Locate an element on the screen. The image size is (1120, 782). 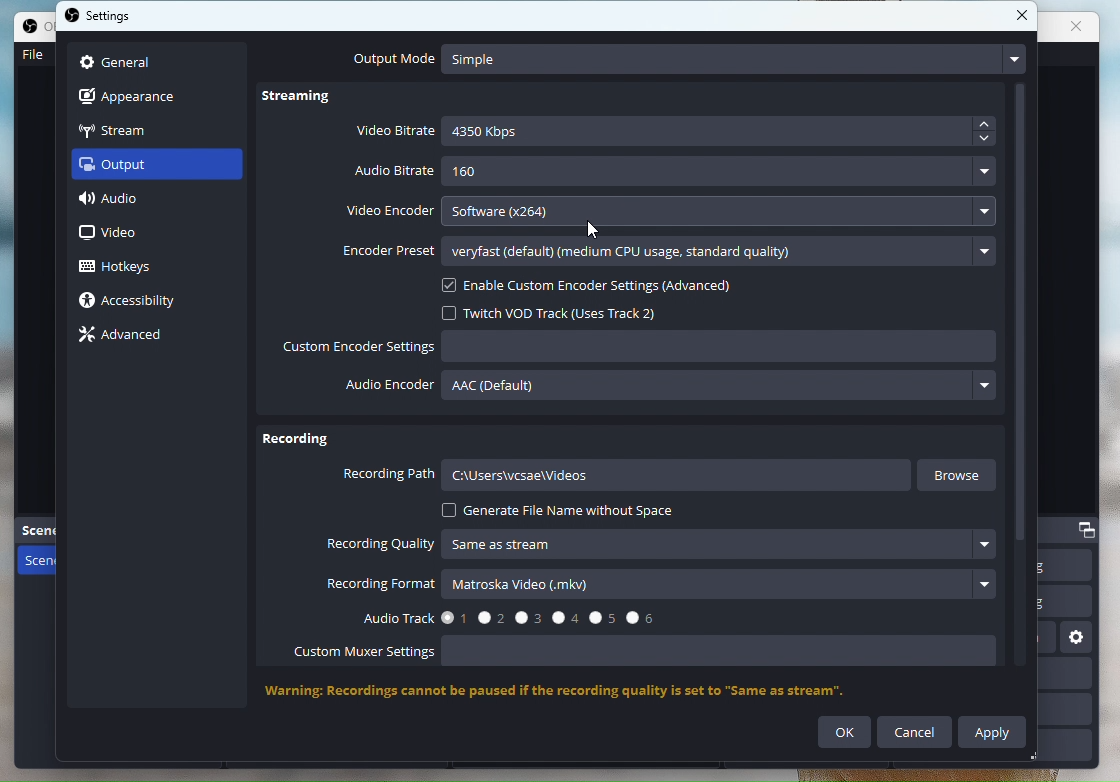
ok is located at coordinates (845, 733).